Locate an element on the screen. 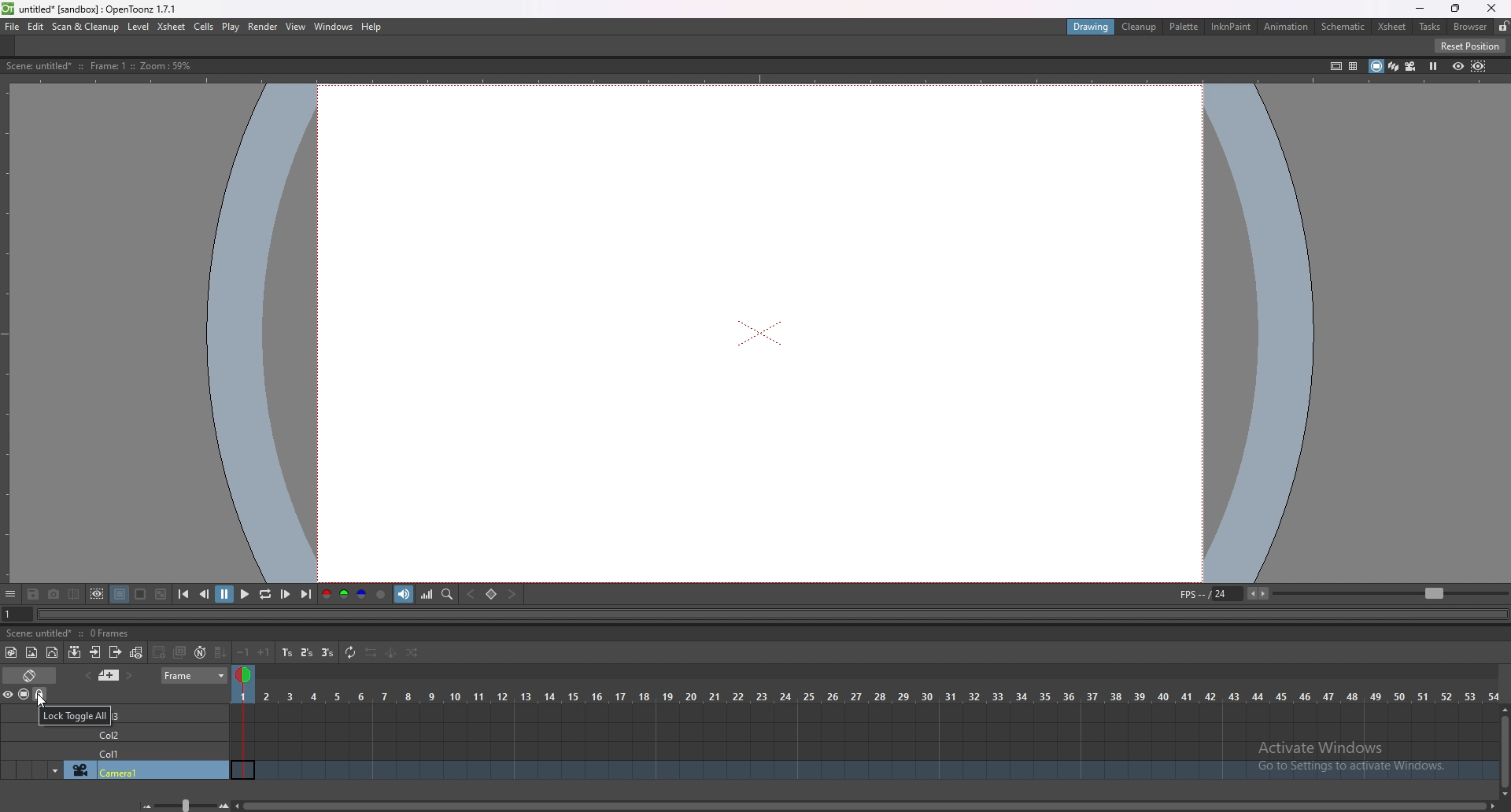 This screenshot has height=812, width=1511. animation is located at coordinates (1287, 28).